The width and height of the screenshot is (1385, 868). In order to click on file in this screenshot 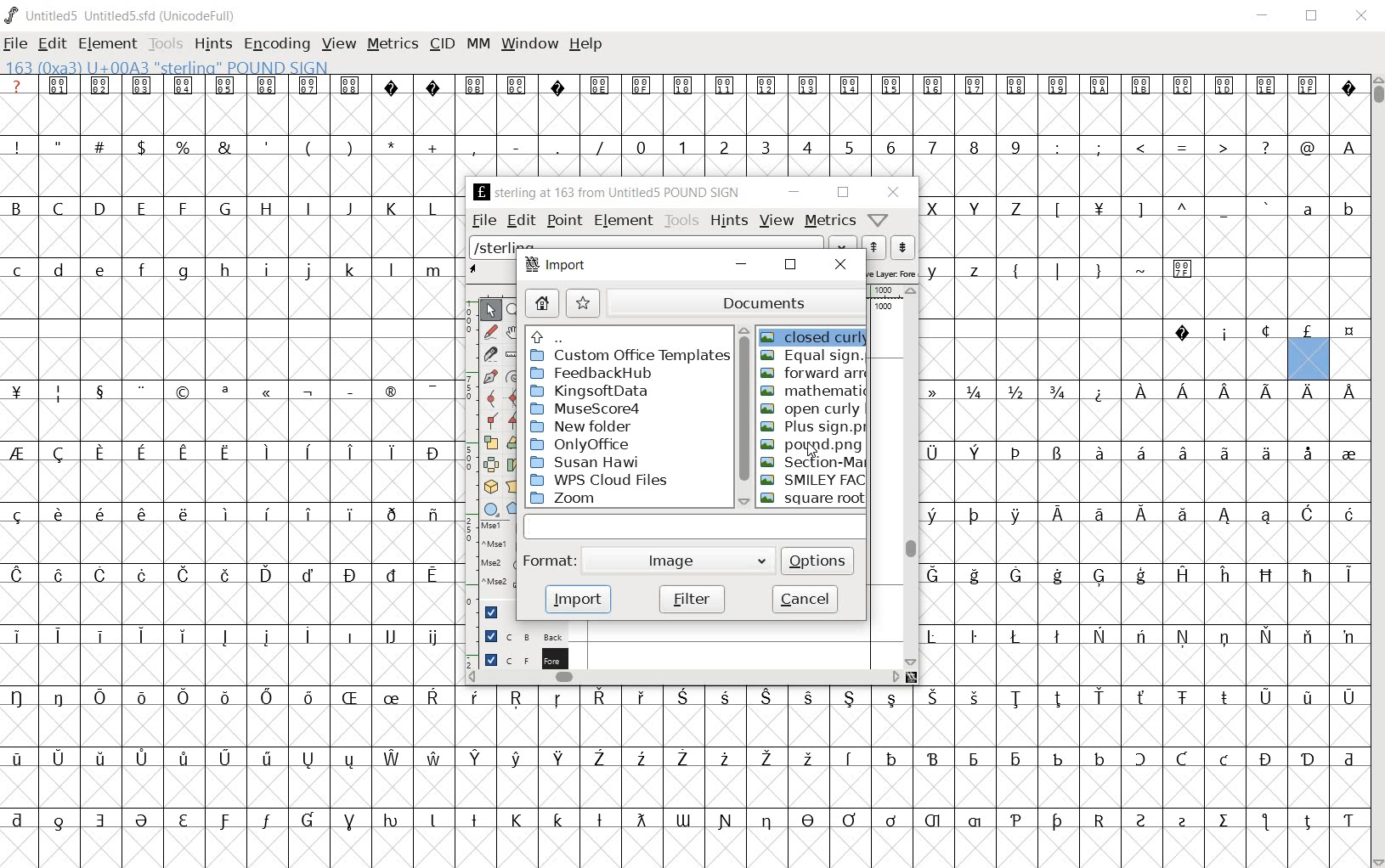, I will do `click(18, 43)`.